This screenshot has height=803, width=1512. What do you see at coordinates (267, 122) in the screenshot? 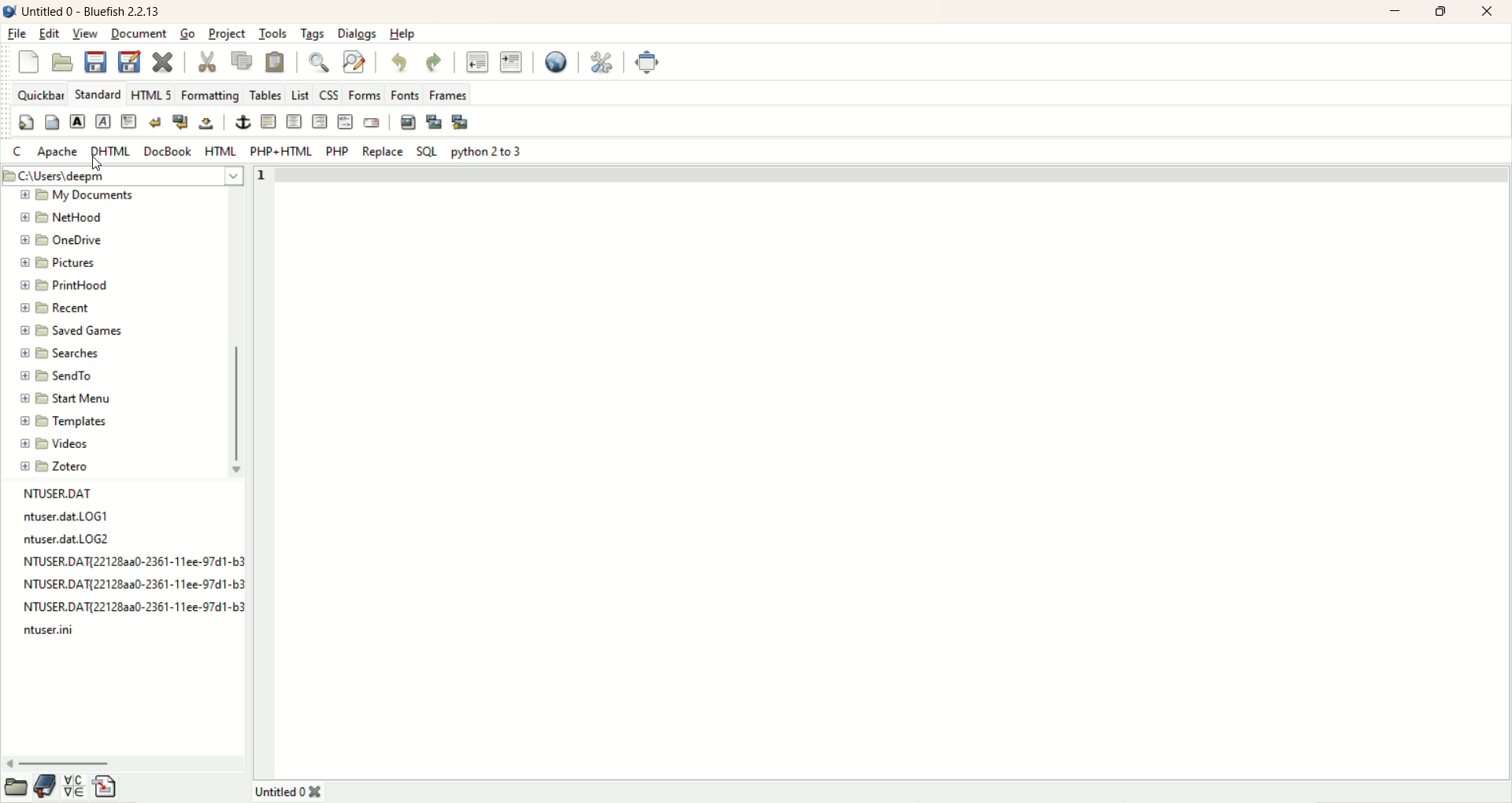
I see `horizontal rule` at bounding box center [267, 122].